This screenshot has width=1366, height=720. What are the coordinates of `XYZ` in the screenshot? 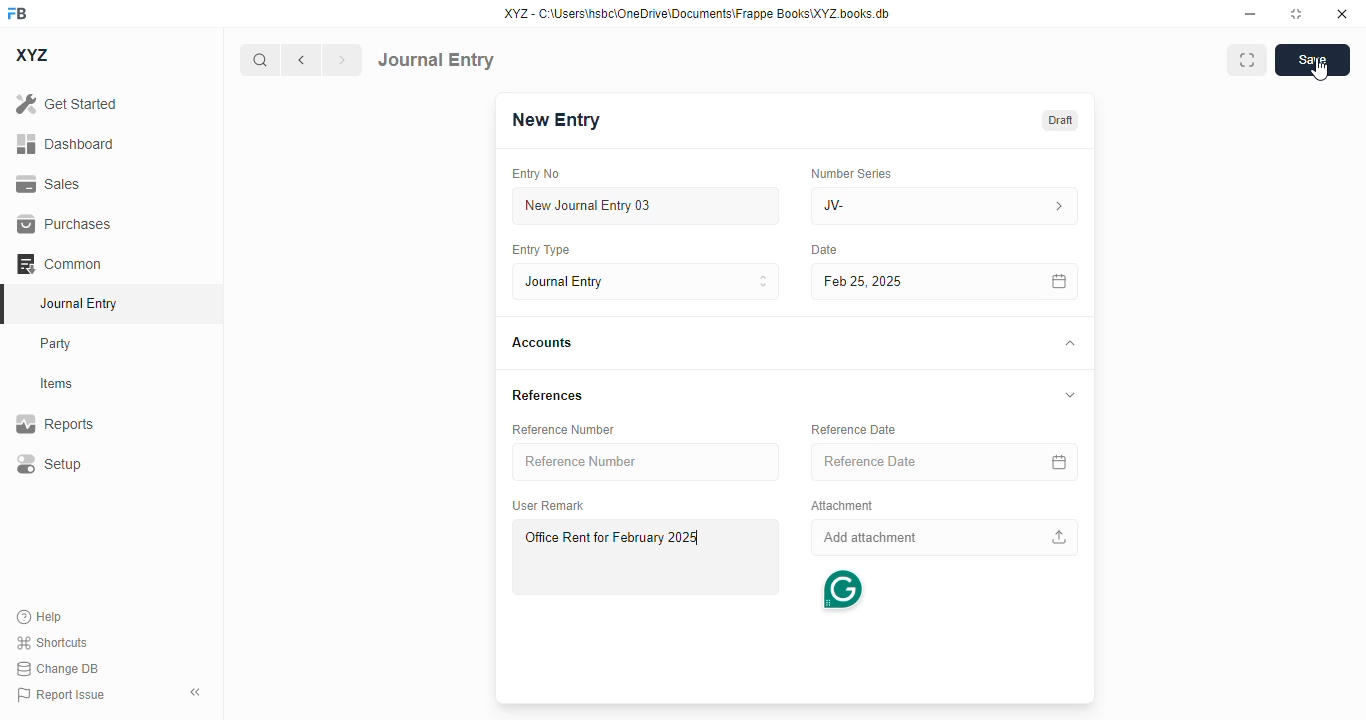 It's located at (33, 55).